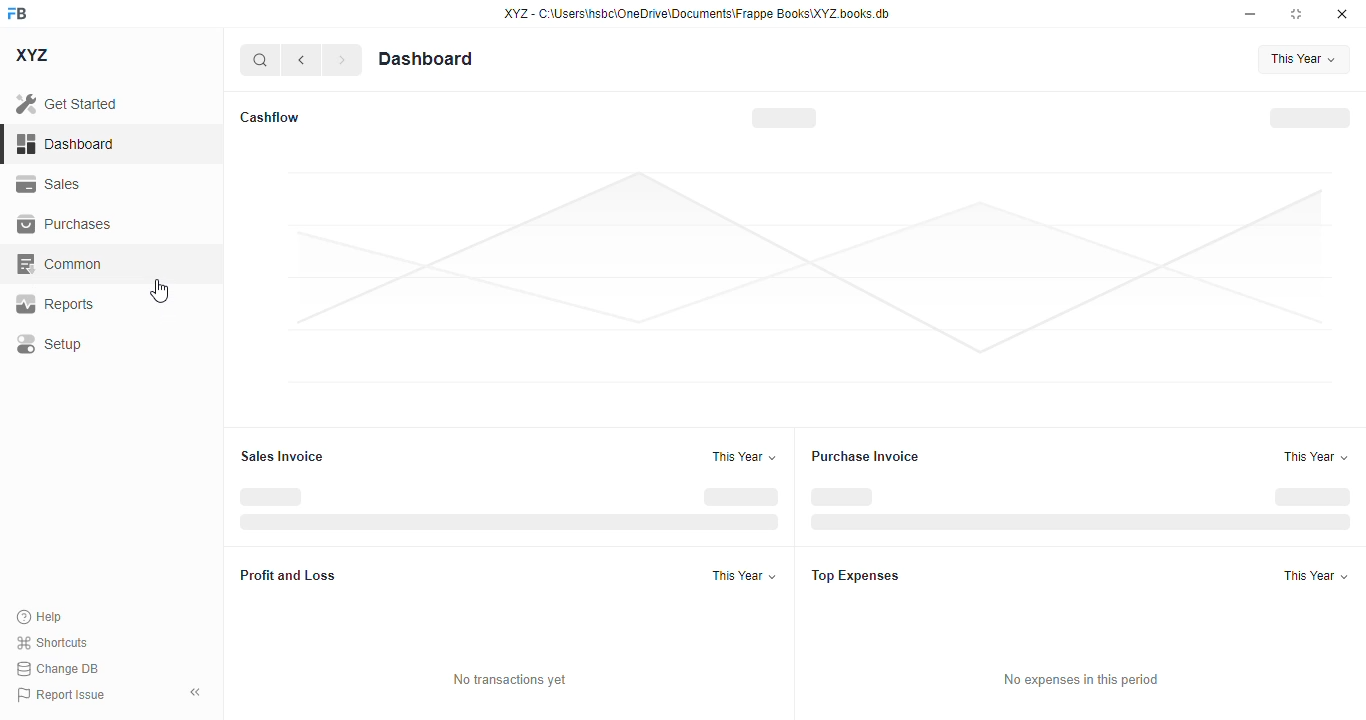 Image resolution: width=1366 pixels, height=720 pixels. What do you see at coordinates (259, 60) in the screenshot?
I see `search` at bounding box center [259, 60].